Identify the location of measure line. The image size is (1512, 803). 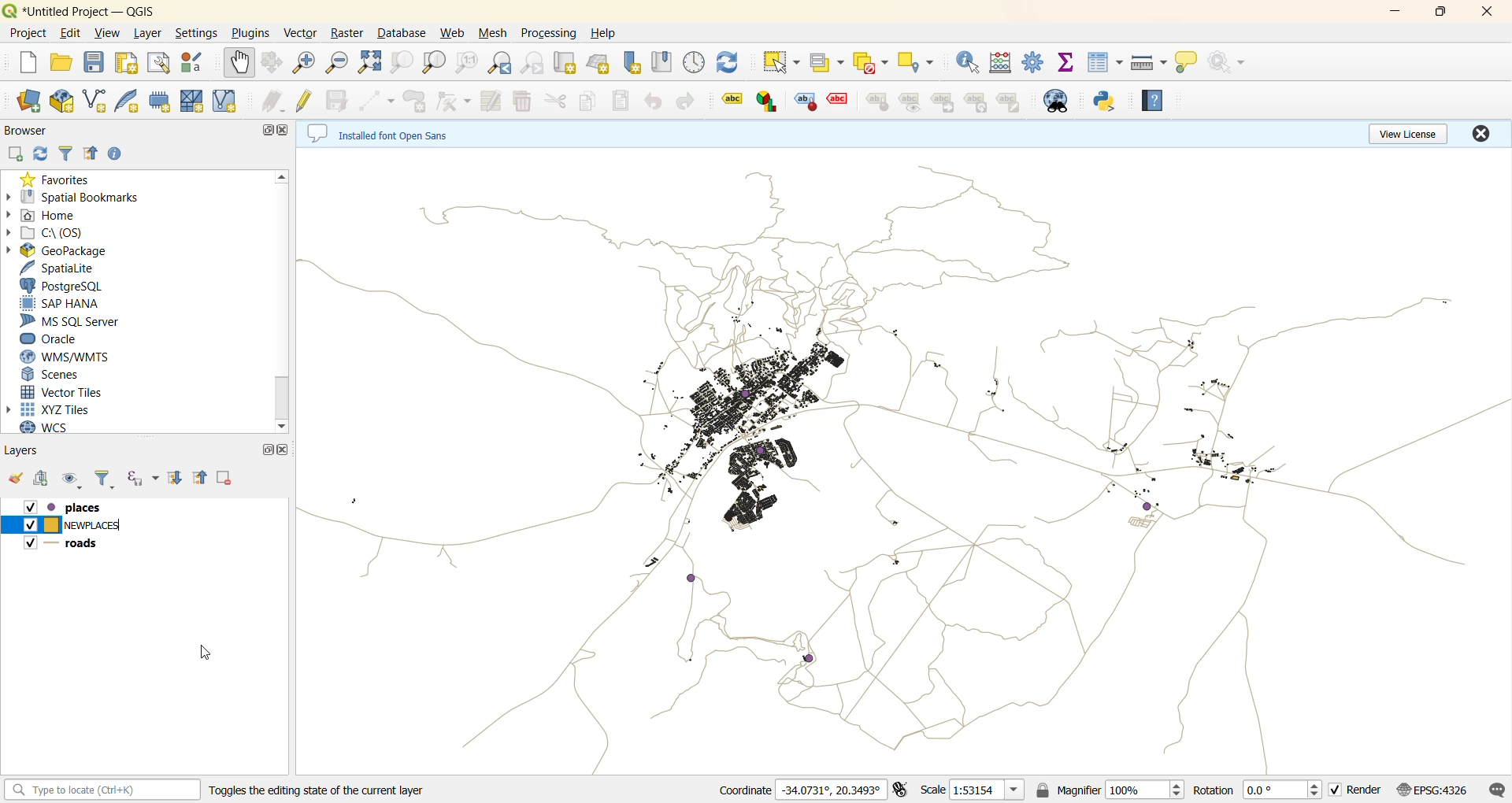
(1151, 63).